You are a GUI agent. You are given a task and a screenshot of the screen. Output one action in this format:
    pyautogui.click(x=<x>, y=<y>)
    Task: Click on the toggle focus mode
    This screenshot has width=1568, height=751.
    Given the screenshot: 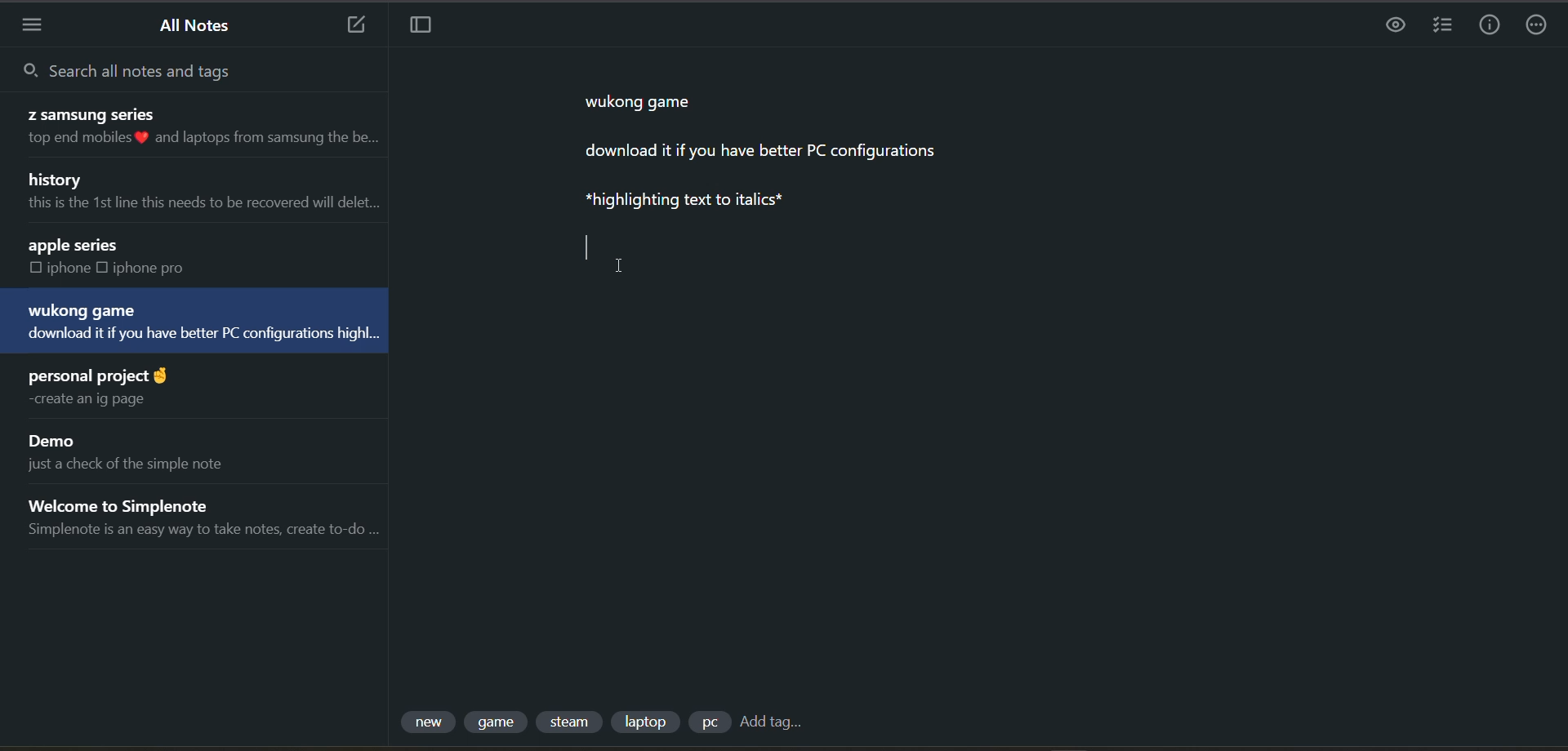 What is the action you would take?
    pyautogui.click(x=424, y=29)
    